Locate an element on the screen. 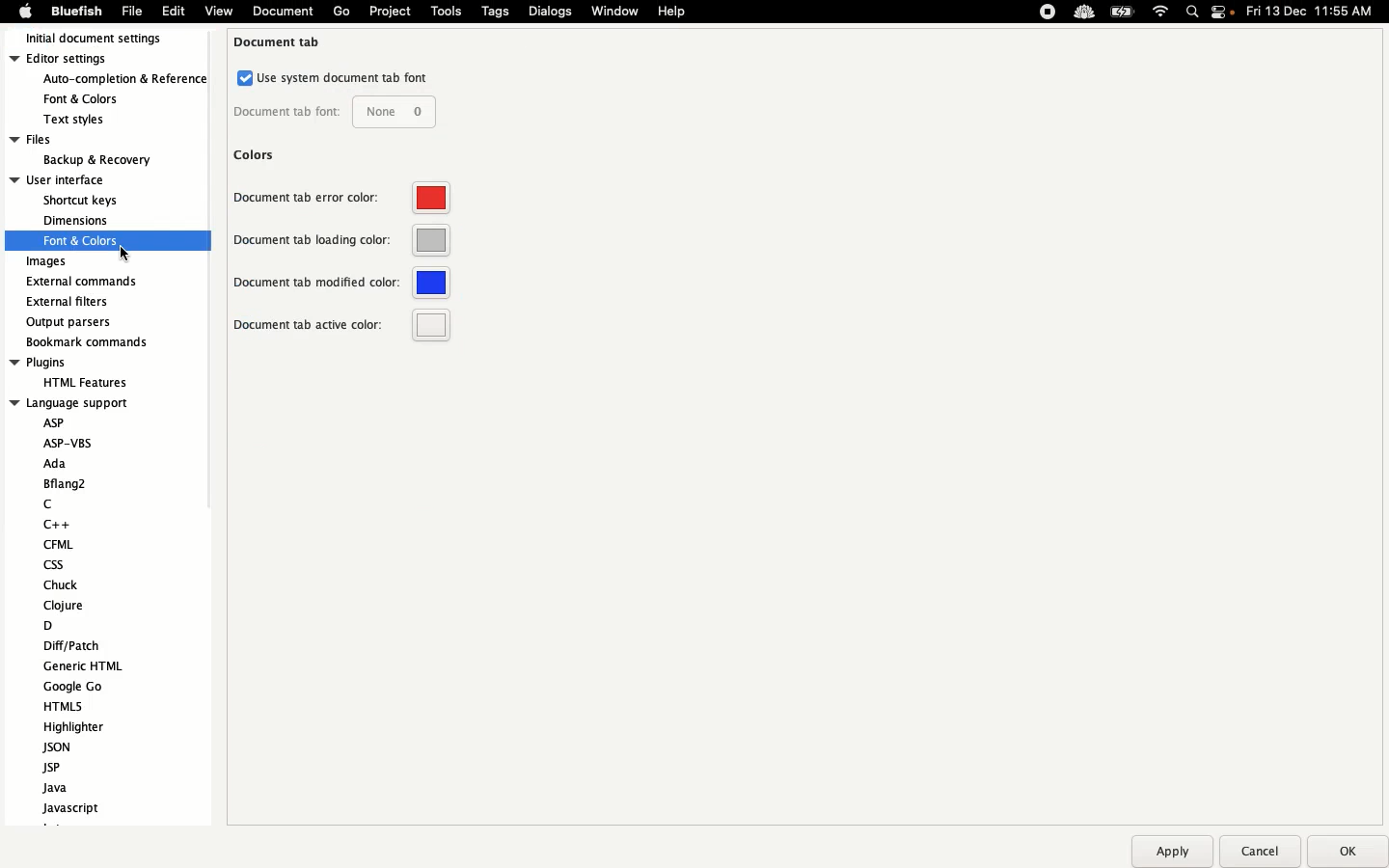  document tab modified color is located at coordinates (346, 284).